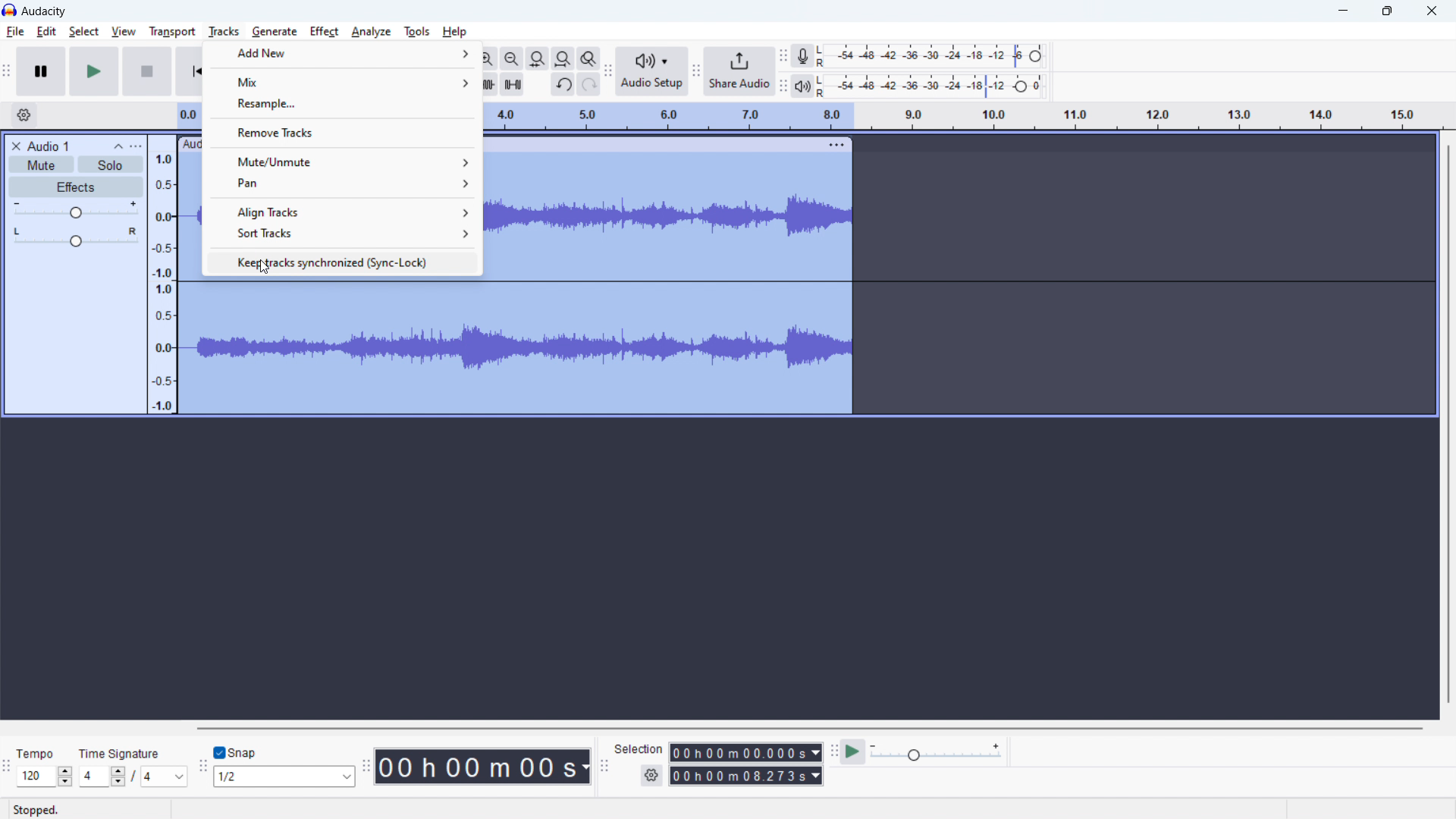  I want to click on selection settings, so click(651, 776).